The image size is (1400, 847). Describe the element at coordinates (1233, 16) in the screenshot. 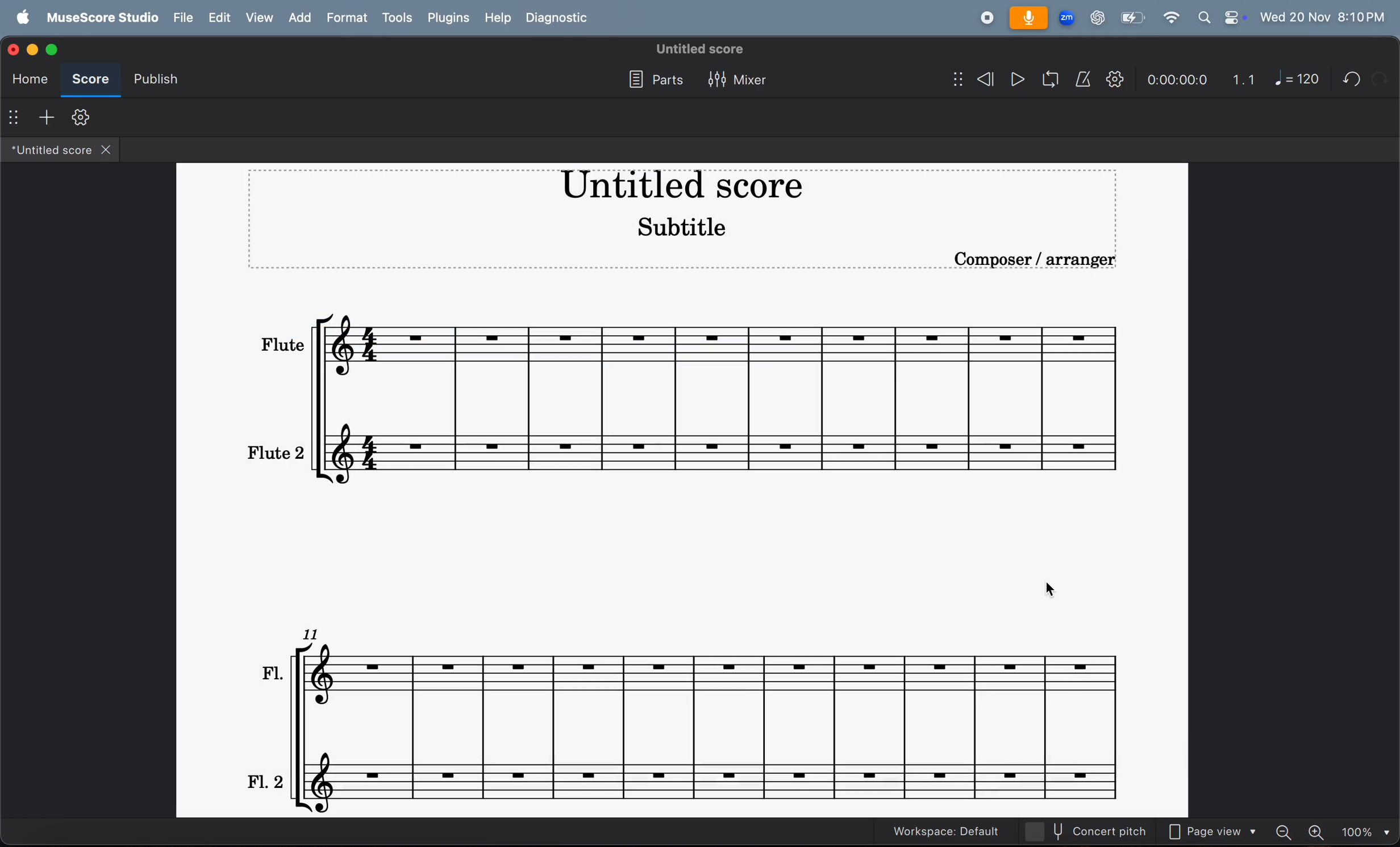

I see `control center` at that location.